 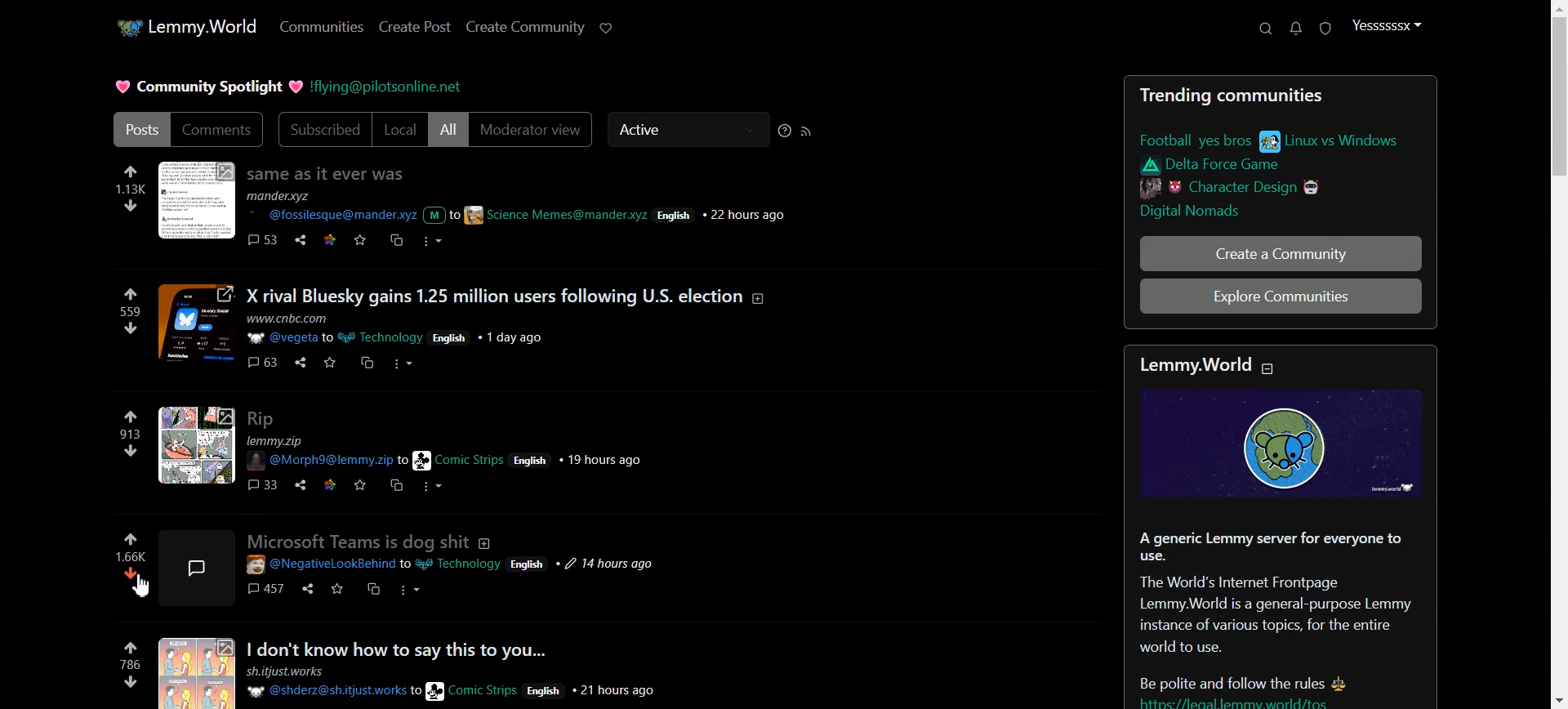 What do you see at coordinates (449, 454) in the screenshot?
I see `post details` at bounding box center [449, 454].